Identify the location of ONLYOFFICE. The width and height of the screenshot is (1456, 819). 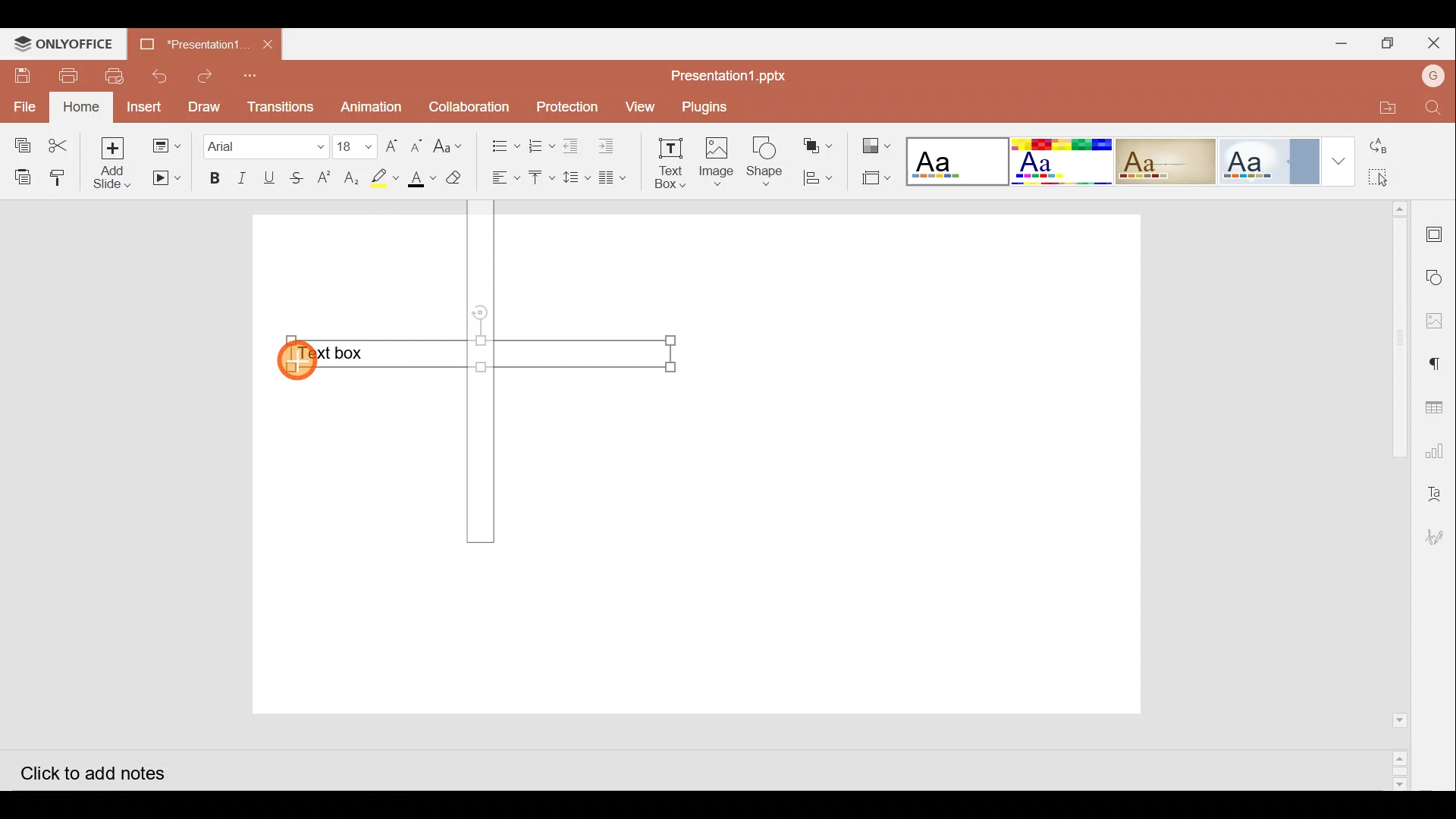
(61, 43).